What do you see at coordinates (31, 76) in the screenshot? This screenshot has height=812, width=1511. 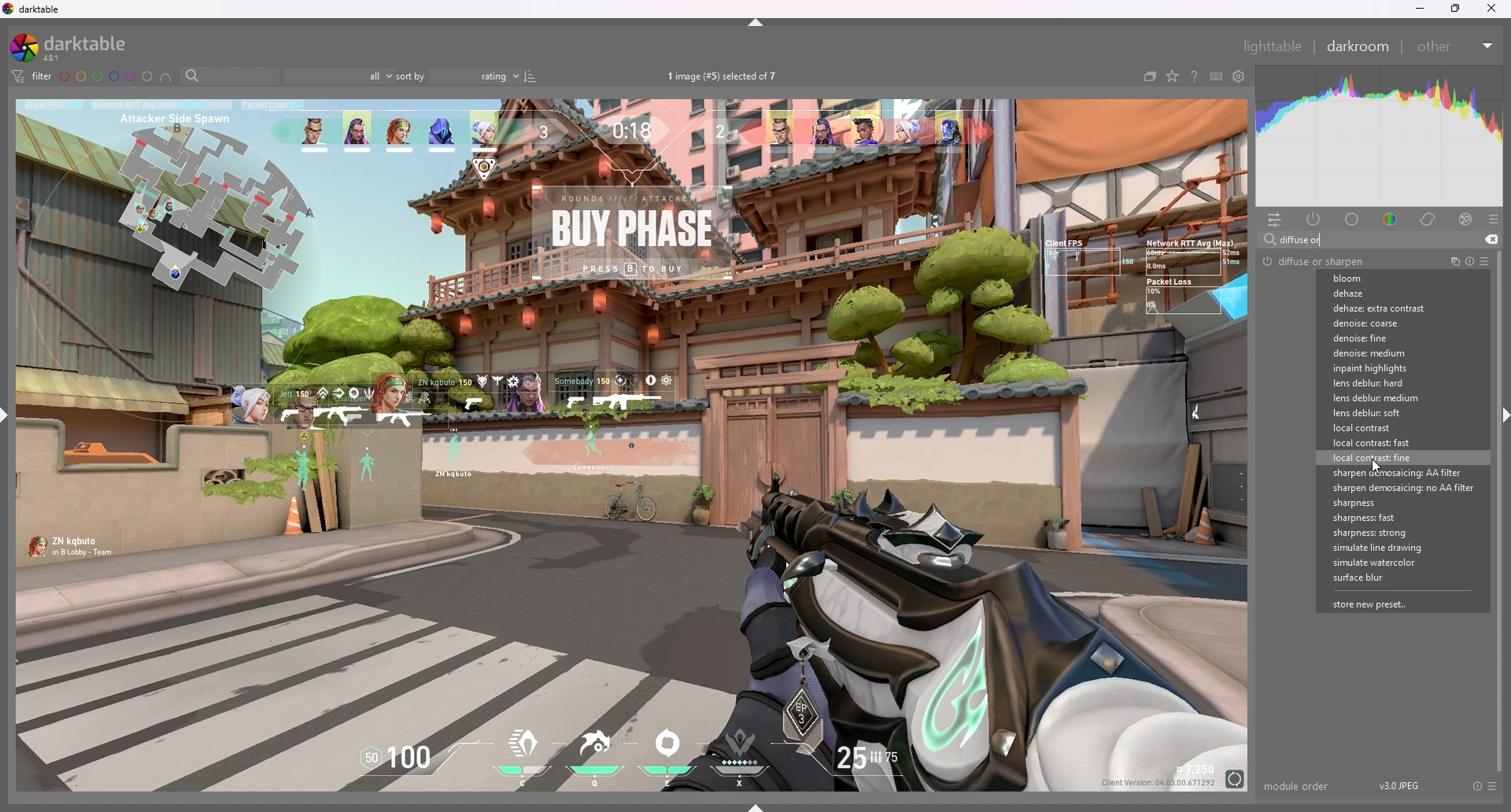 I see `filter` at bounding box center [31, 76].